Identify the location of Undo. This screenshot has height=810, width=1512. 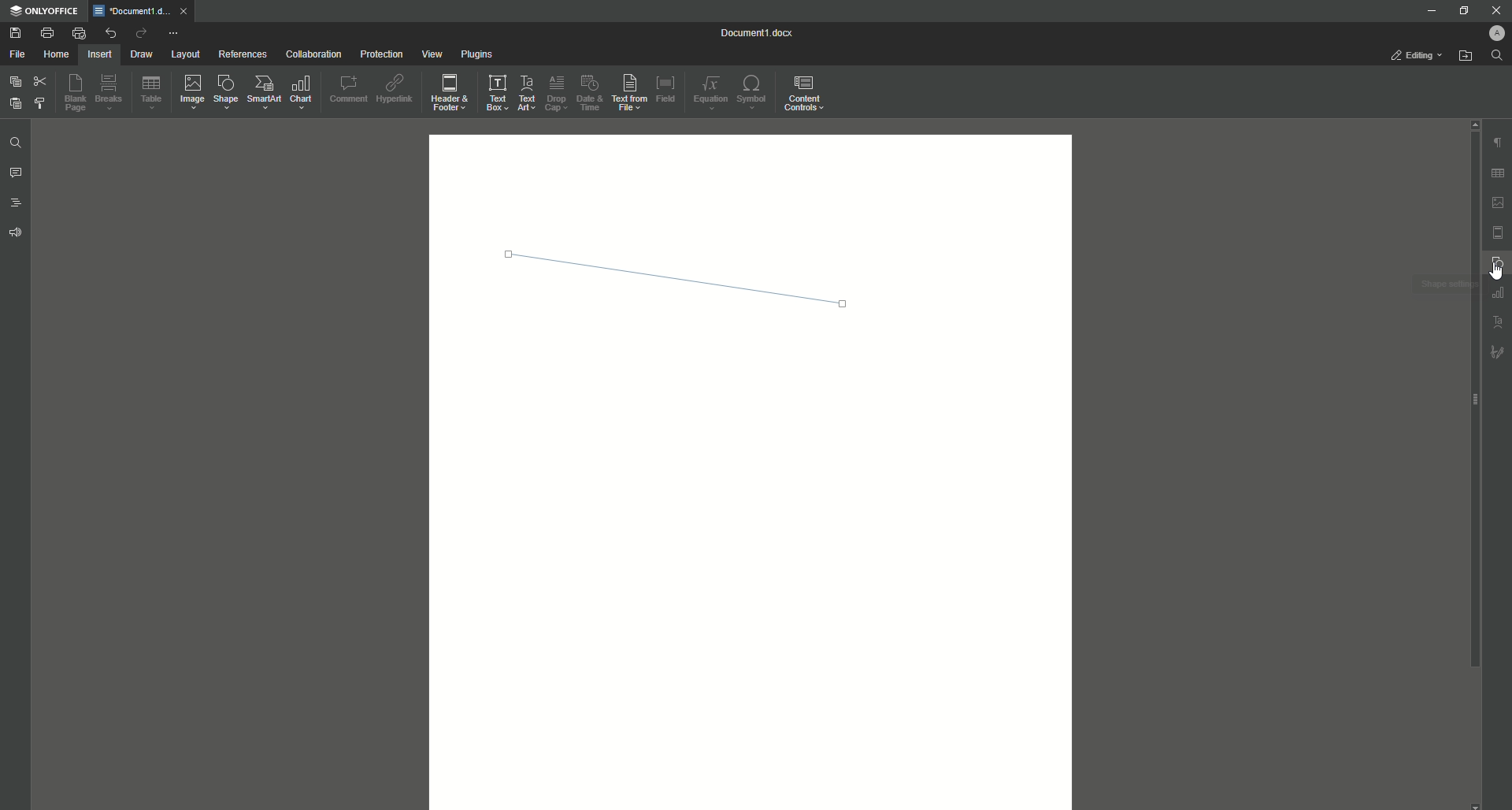
(109, 32).